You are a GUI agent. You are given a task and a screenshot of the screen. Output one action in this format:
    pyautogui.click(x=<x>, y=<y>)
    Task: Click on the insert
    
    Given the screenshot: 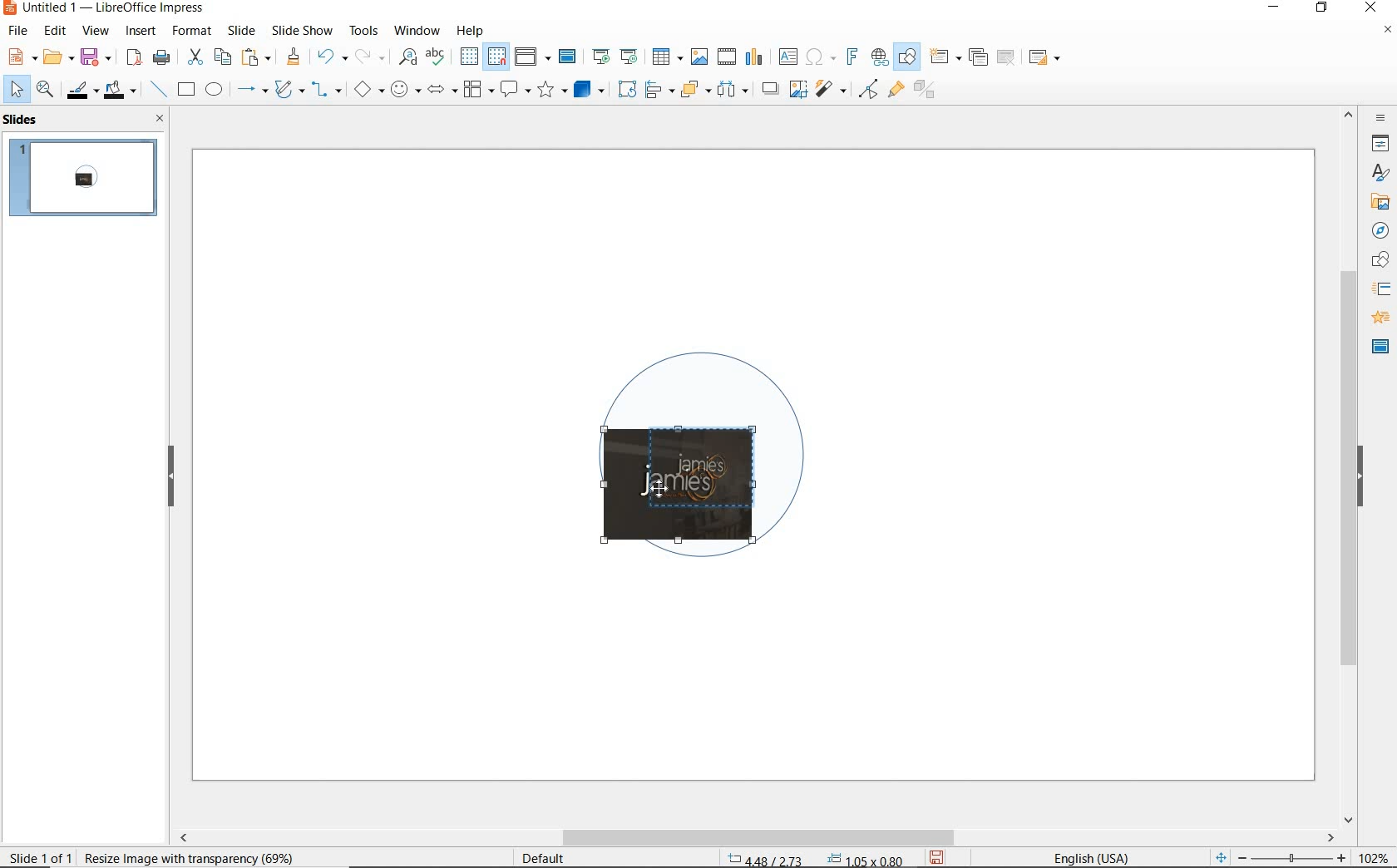 What is the action you would take?
    pyautogui.click(x=141, y=32)
    